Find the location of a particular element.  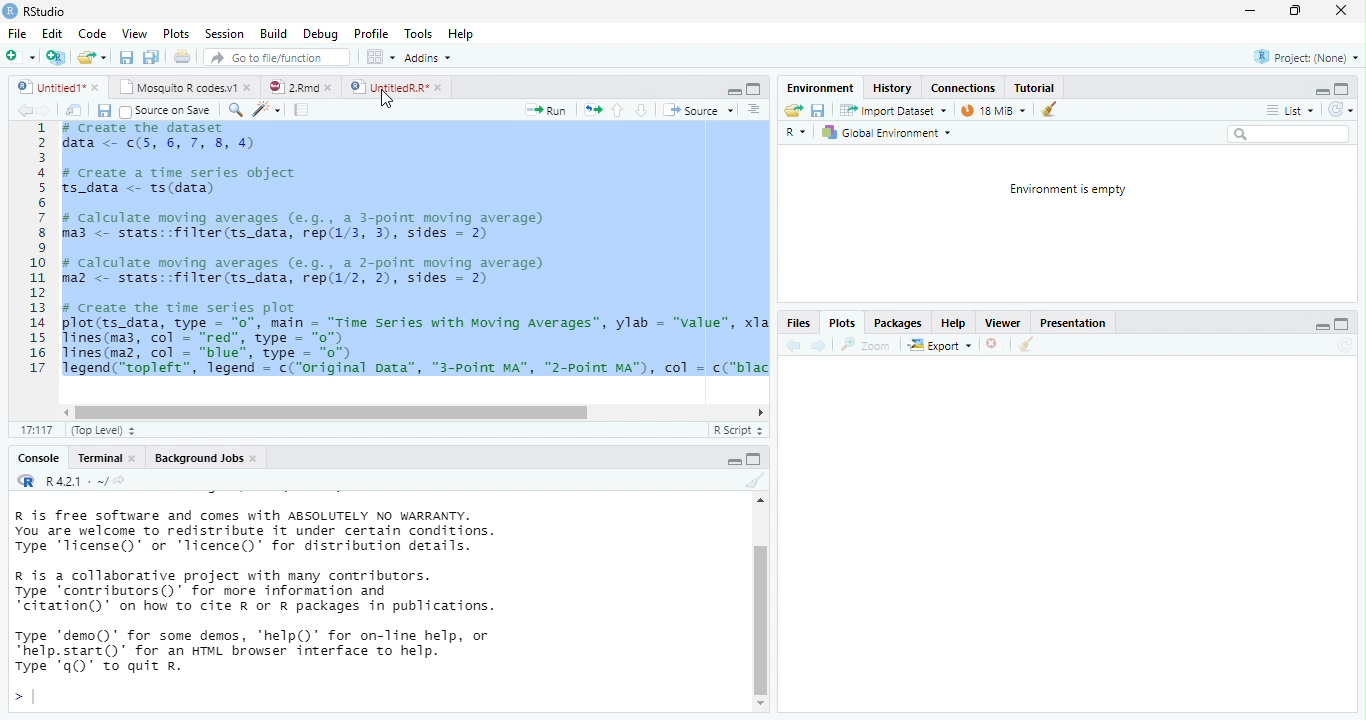

Refresh is located at coordinates (1341, 110).